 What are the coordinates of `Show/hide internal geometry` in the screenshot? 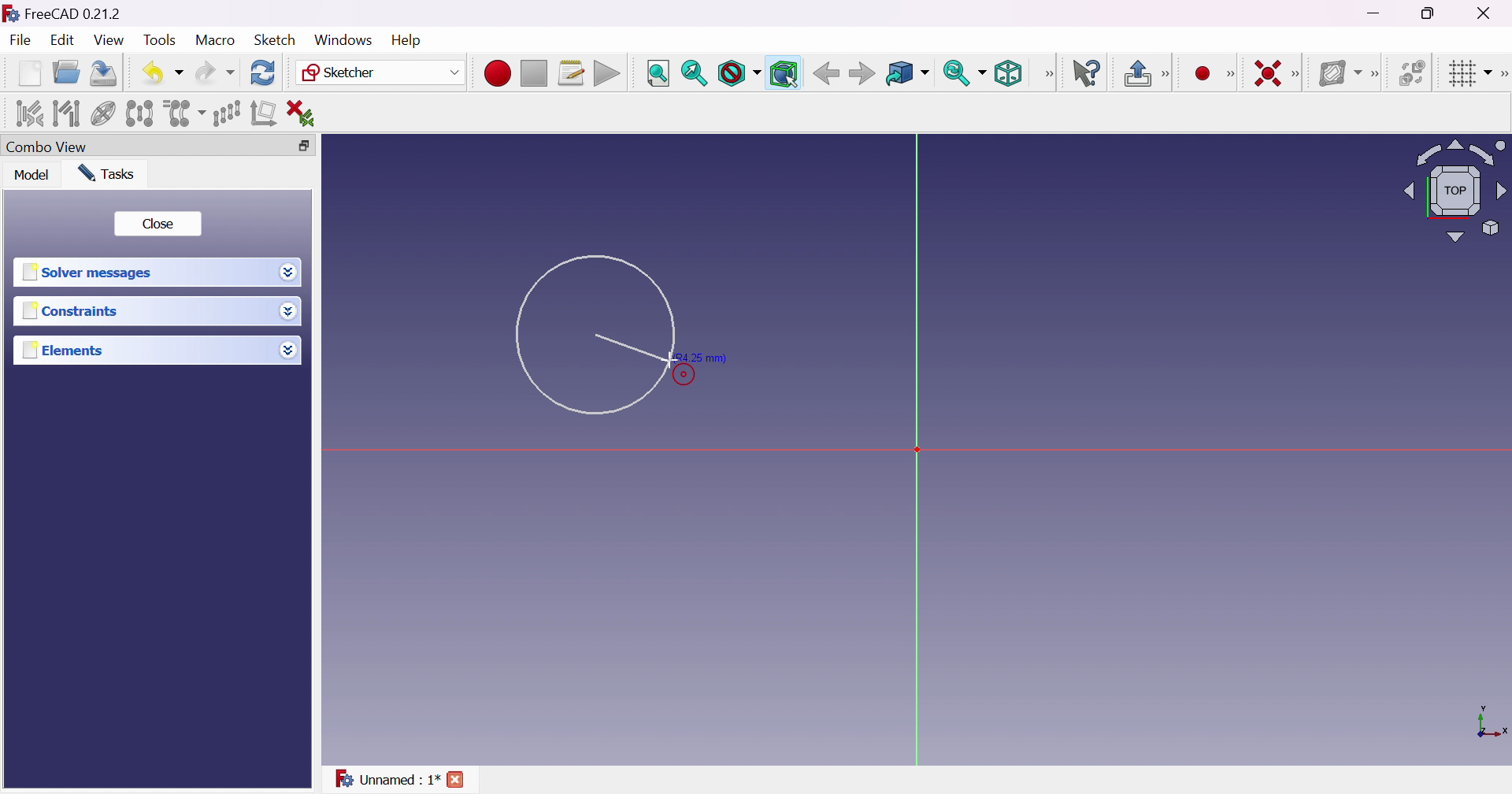 It's located at (104, 113).